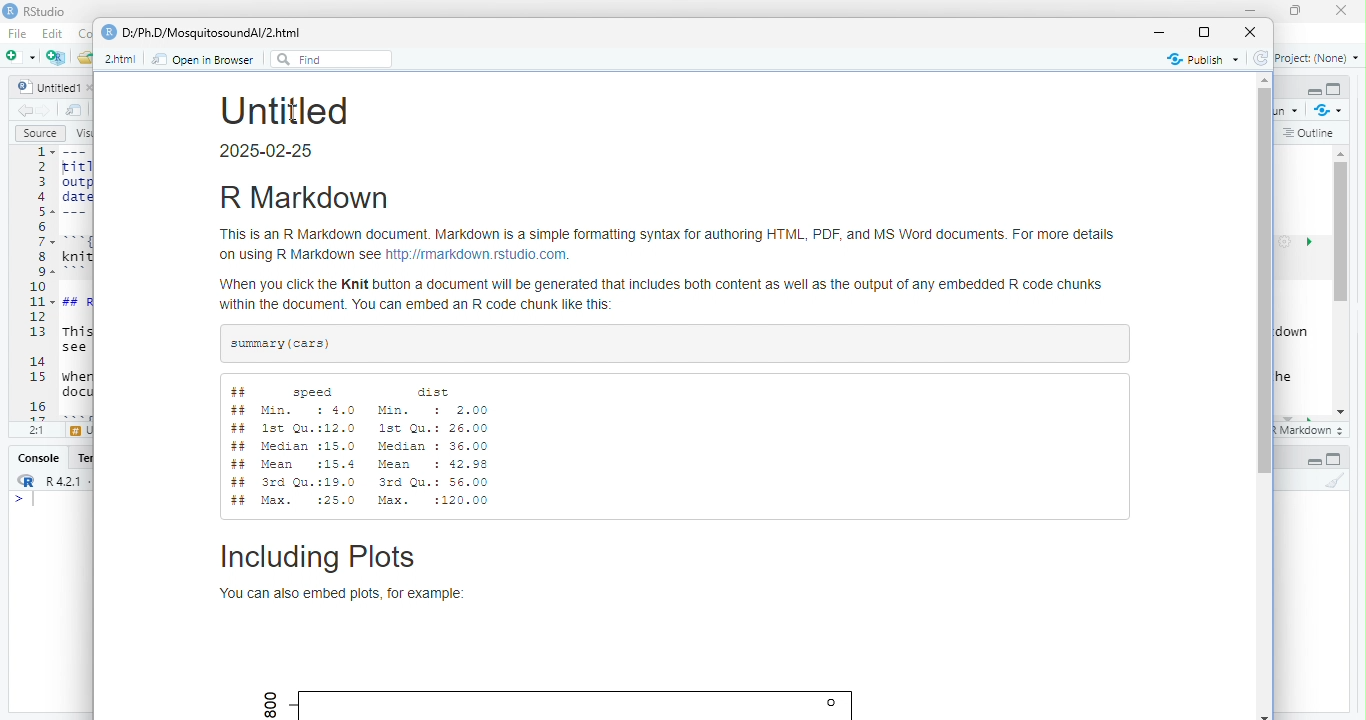  What do you see at coordinates (40, 458) in the screenshot?
I see `Console` at bounding box center [40, 458].